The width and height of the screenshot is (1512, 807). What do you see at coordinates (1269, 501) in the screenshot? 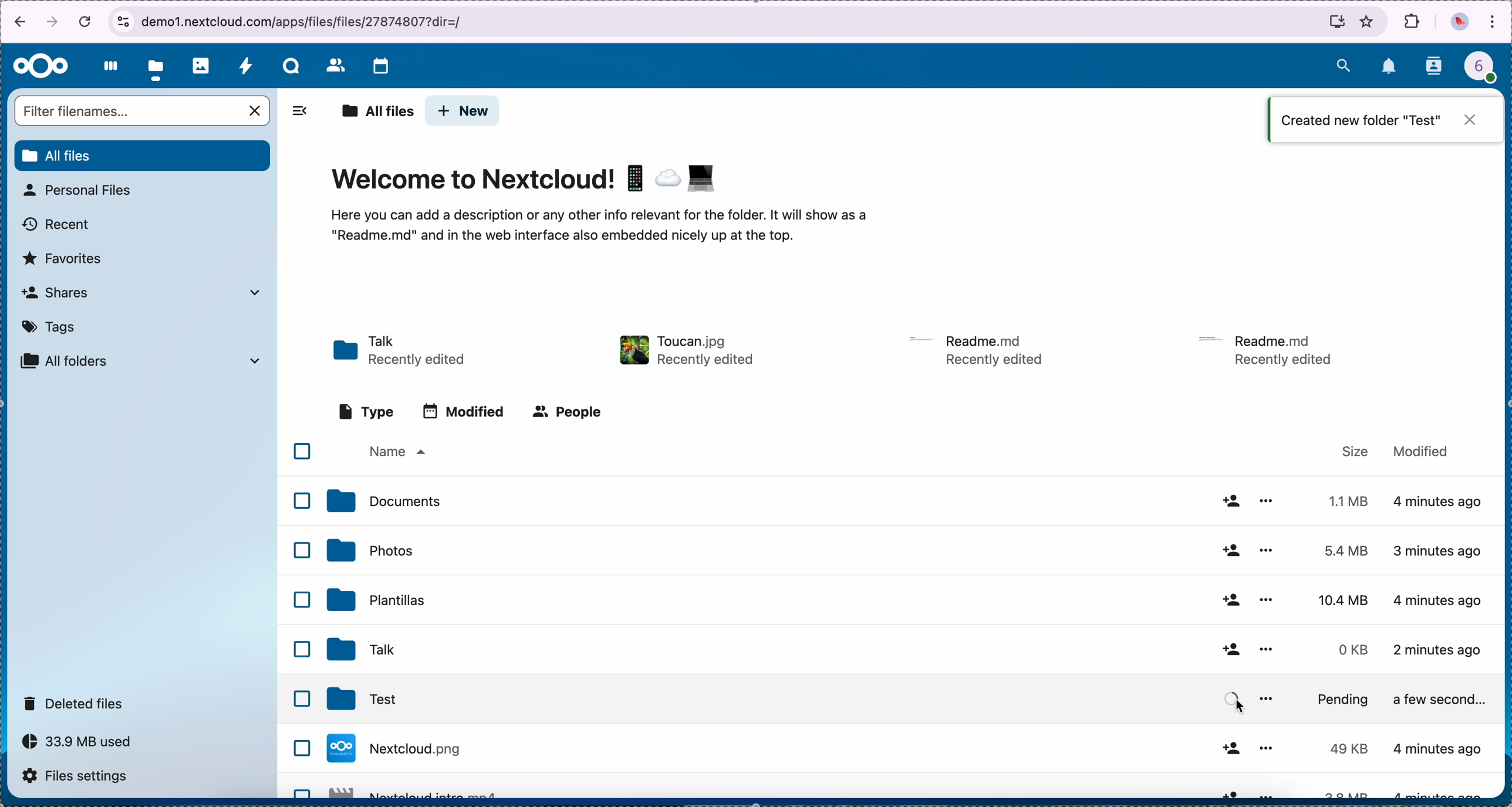
I see `more options` at bounding box center [1269, 501].